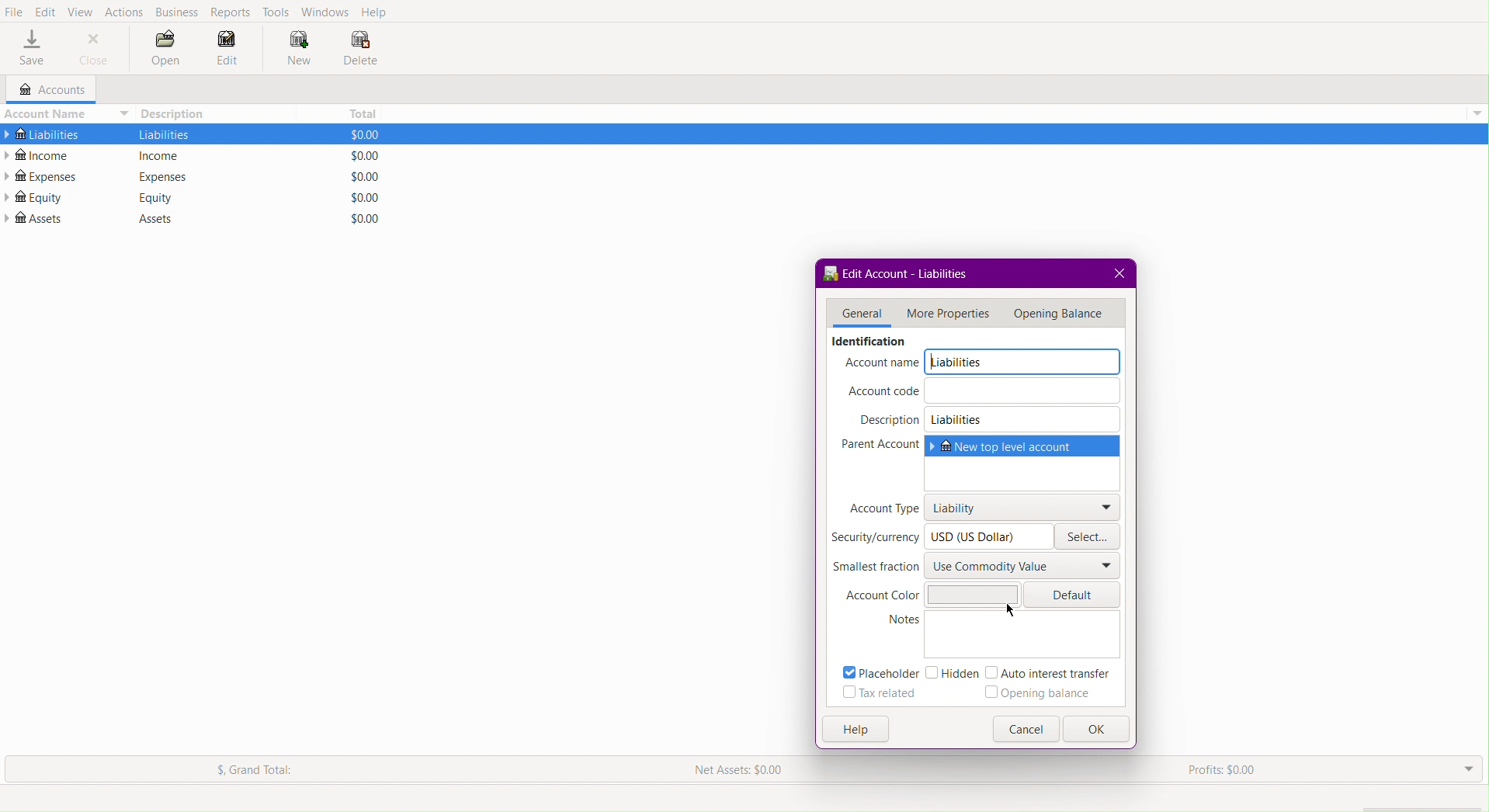  I want to click on Delete, so click(360, 50).